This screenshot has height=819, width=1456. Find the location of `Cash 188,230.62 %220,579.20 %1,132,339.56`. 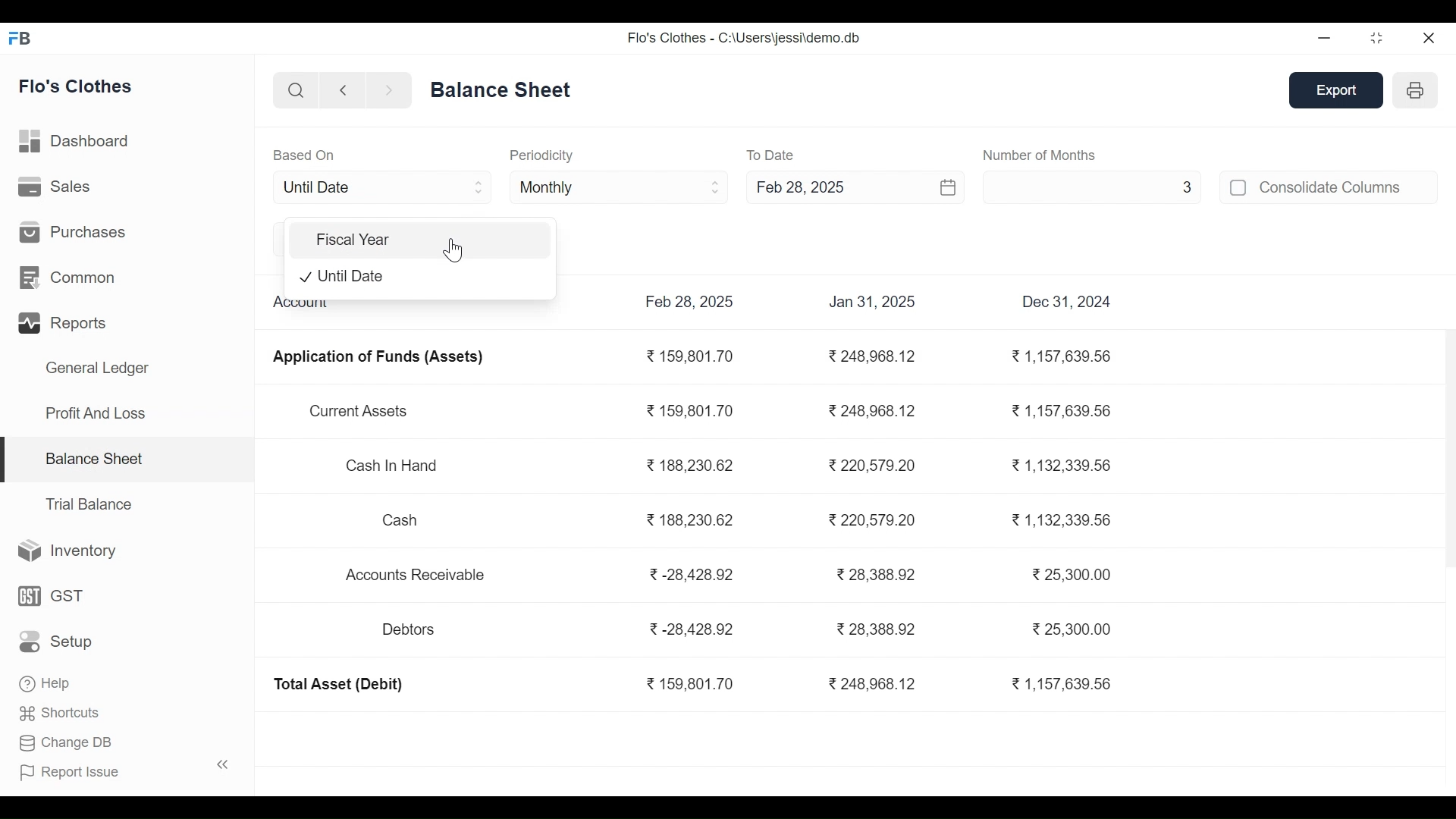

Cash 188,230.62 %220,579.20 %1,132,339.56 is located at coordinates (748, 518).